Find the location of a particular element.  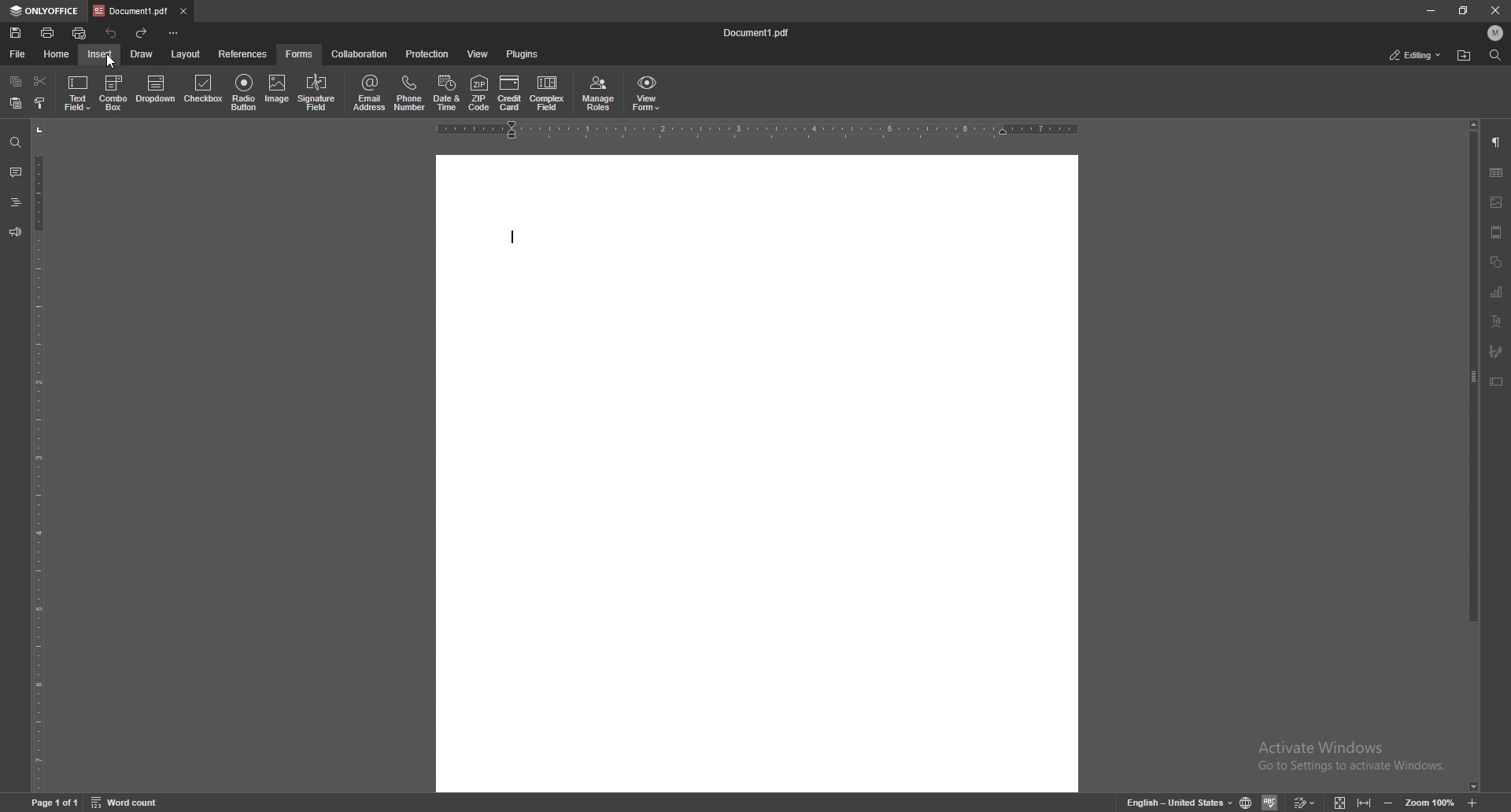

onlyoffice is located at coordinates (44, 11).